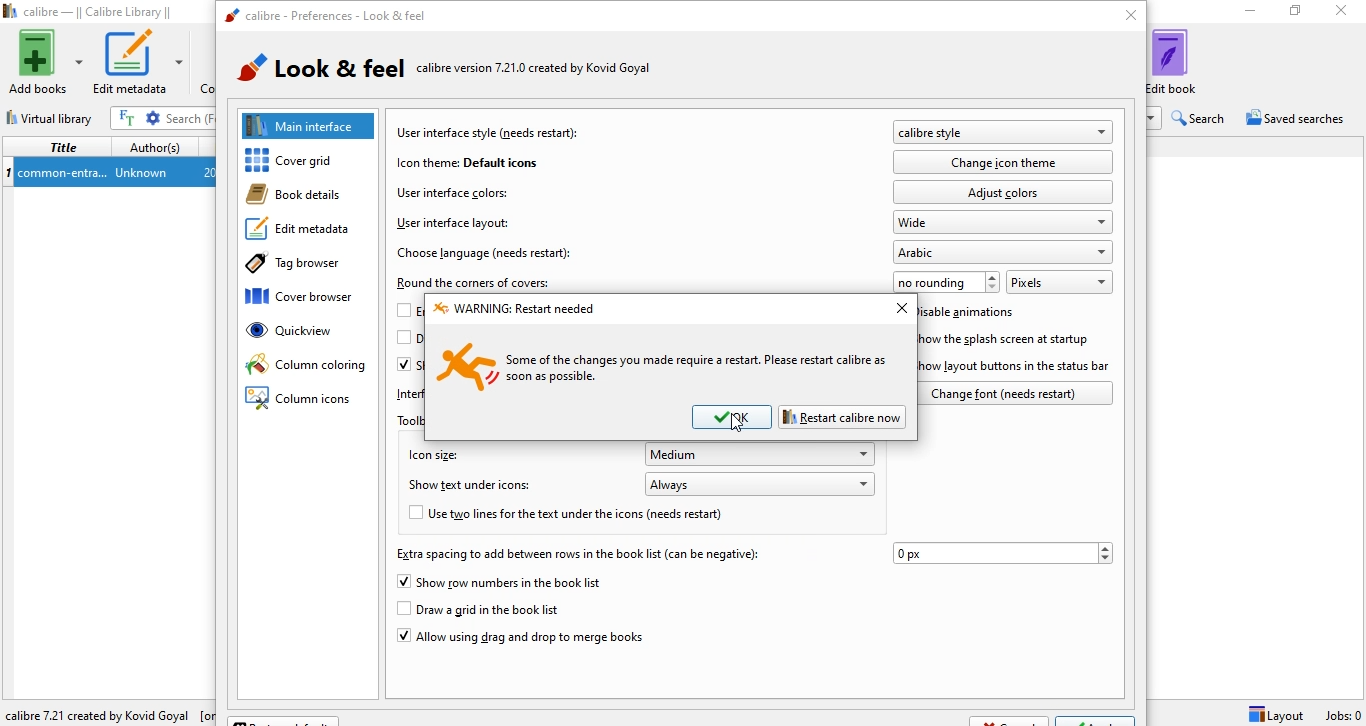 This screenshot has height=726, width=1366. What do you see at coordinates (1276, 714) in the screenshot?
I see `Layout` at bounding box center [1276, 714].